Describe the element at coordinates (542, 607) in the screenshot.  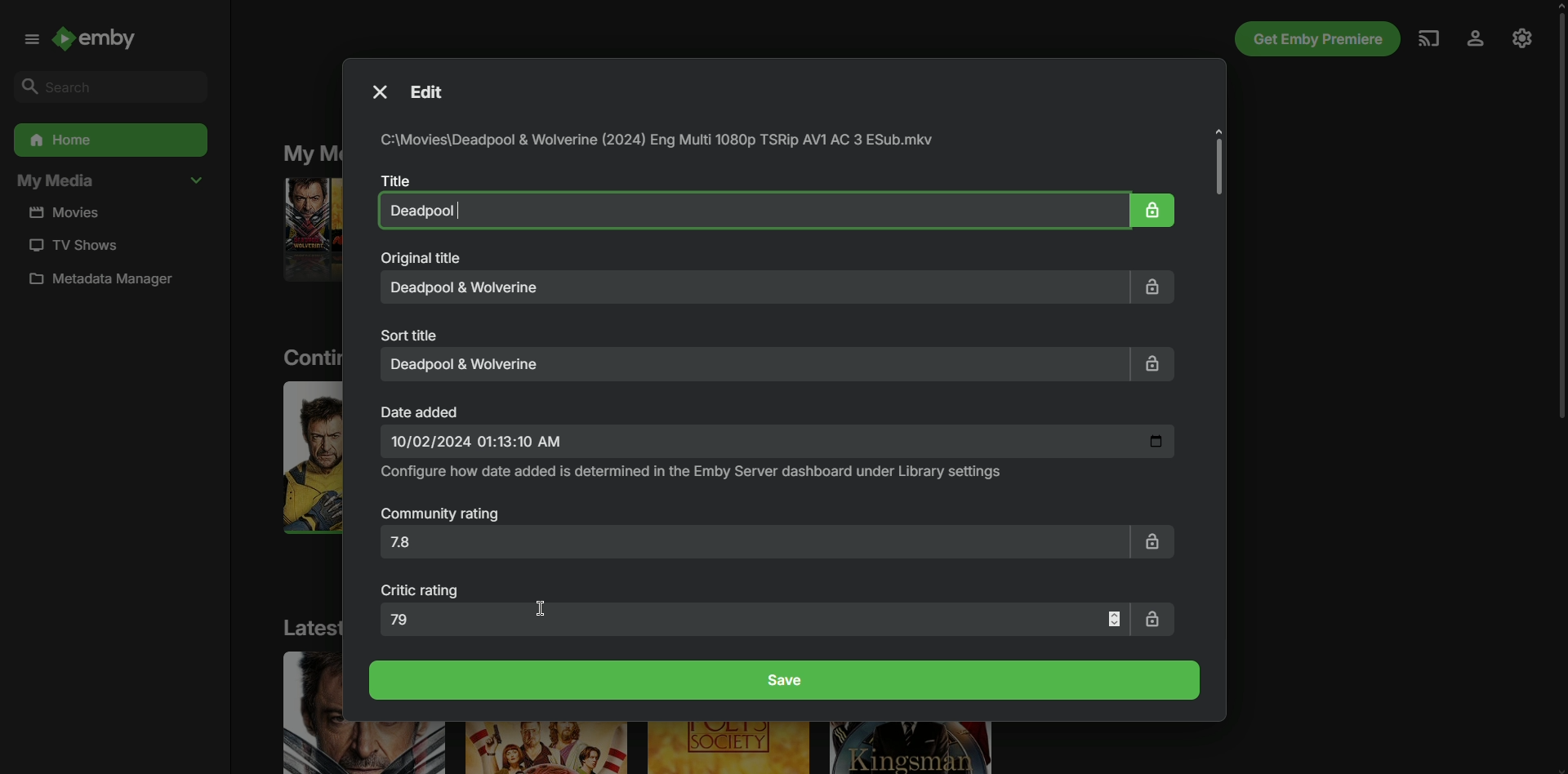
I see `Cursor` at that location.